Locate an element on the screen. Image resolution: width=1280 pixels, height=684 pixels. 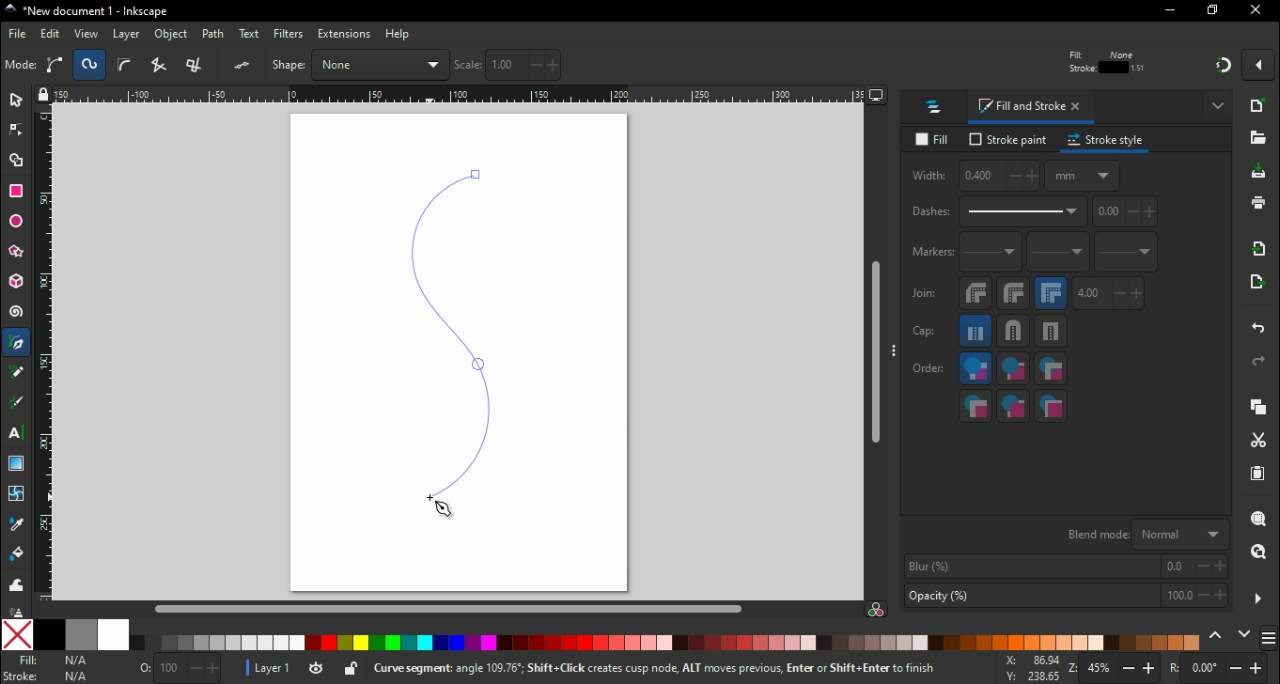
create a sequence of paraxial line segments is located at coordinates (198, 65).